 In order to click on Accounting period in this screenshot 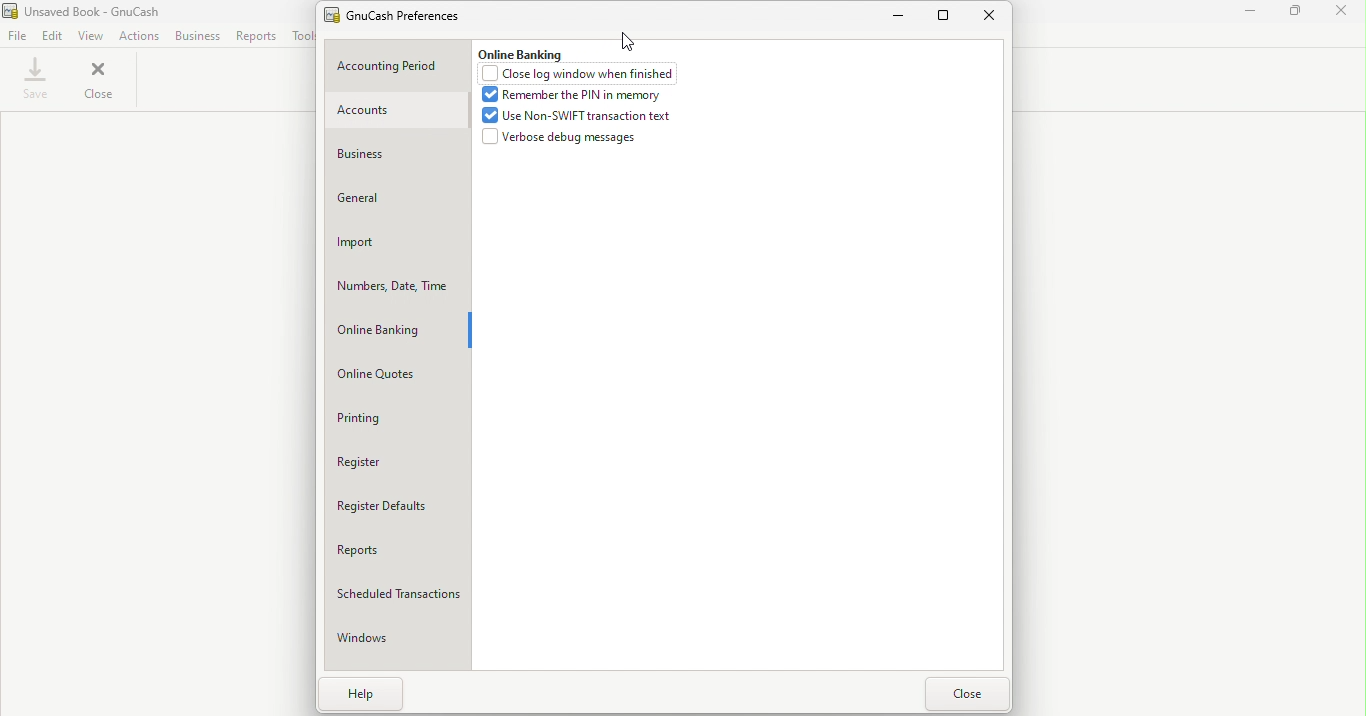, I will do `click(397, 67)`.